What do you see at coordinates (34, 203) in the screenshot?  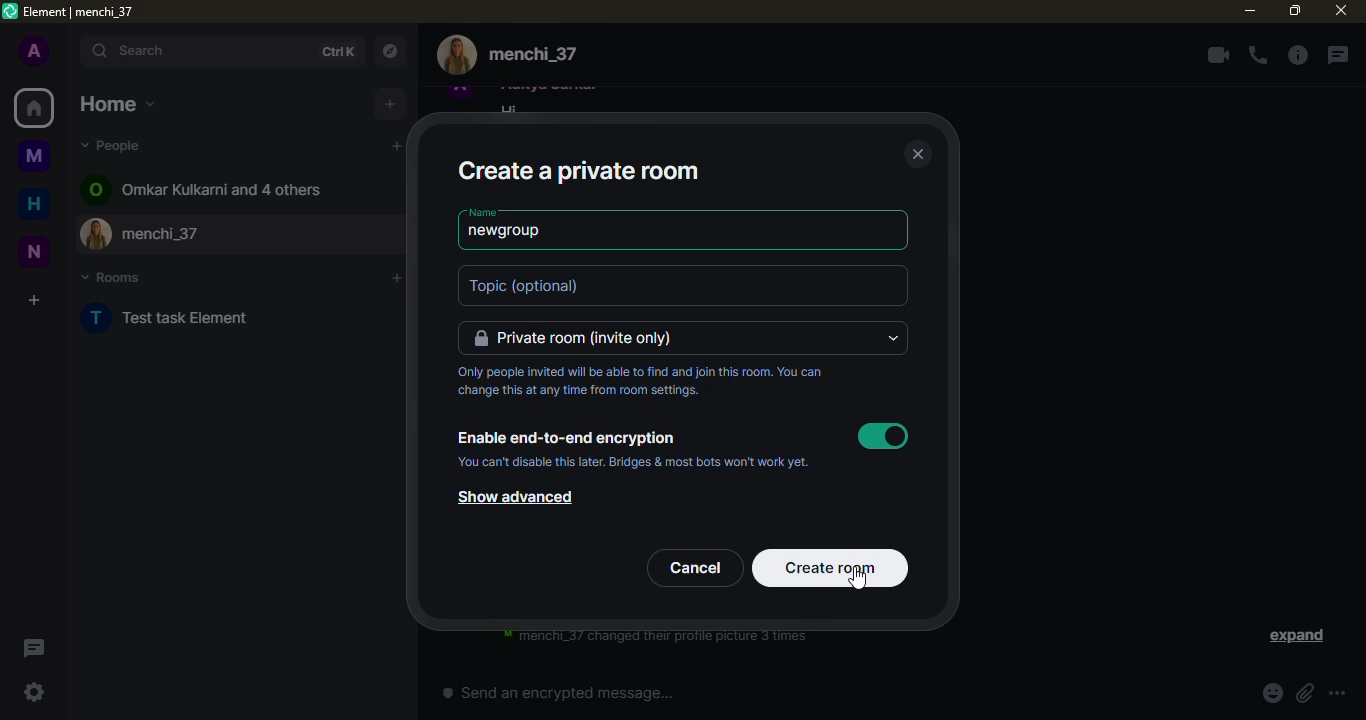 I see `home` at bounding box center [34, 203].